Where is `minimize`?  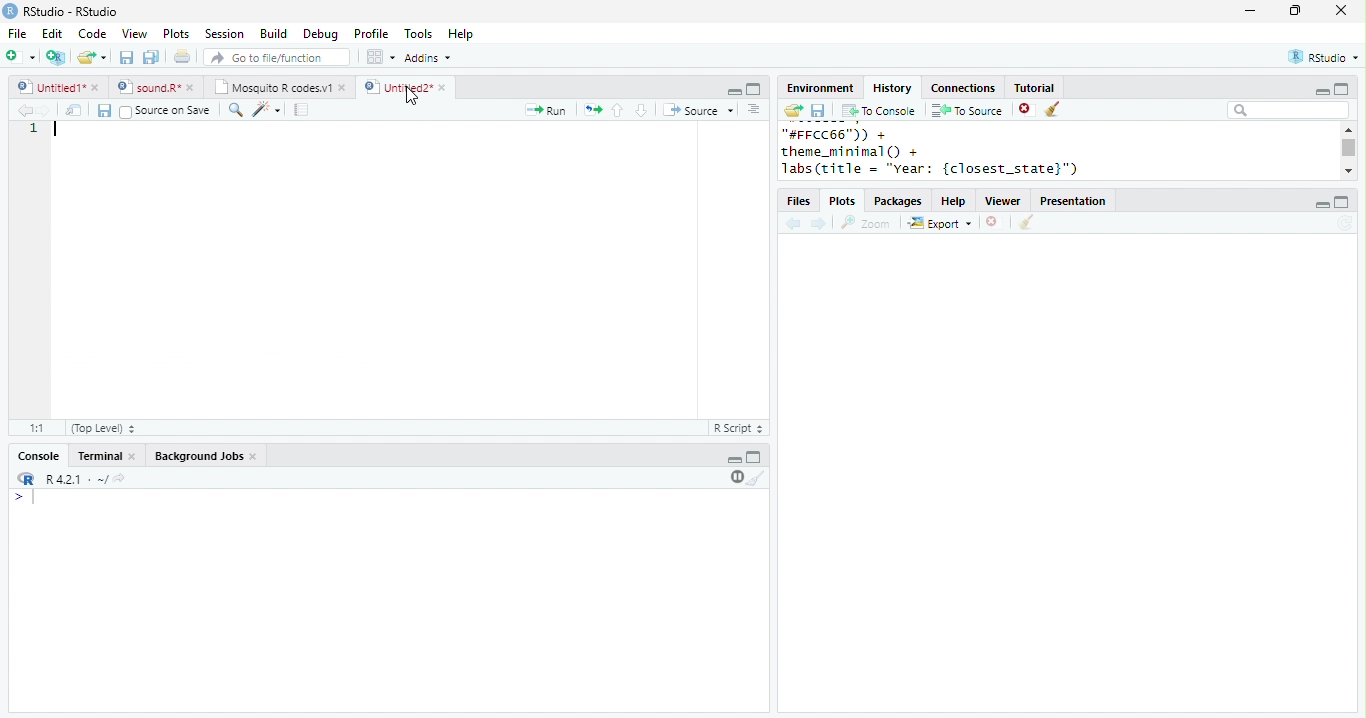
minimize is located at coordinates (1321, 92).